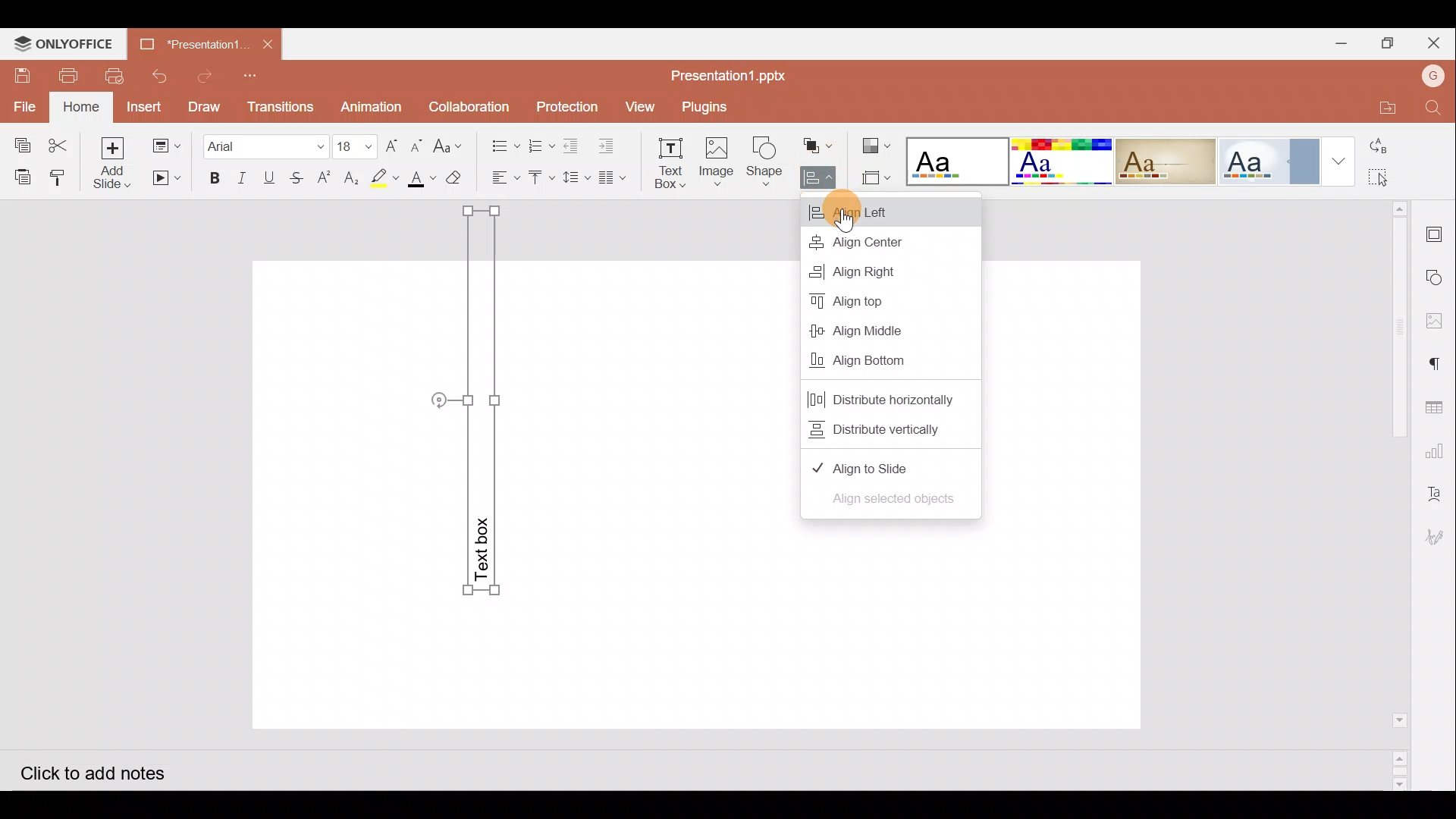 This screenshot has height=819, width=1456. What do you see at coordinates (639, 105) in the screenshot?
I see `View` at bounding box center [639, 105].